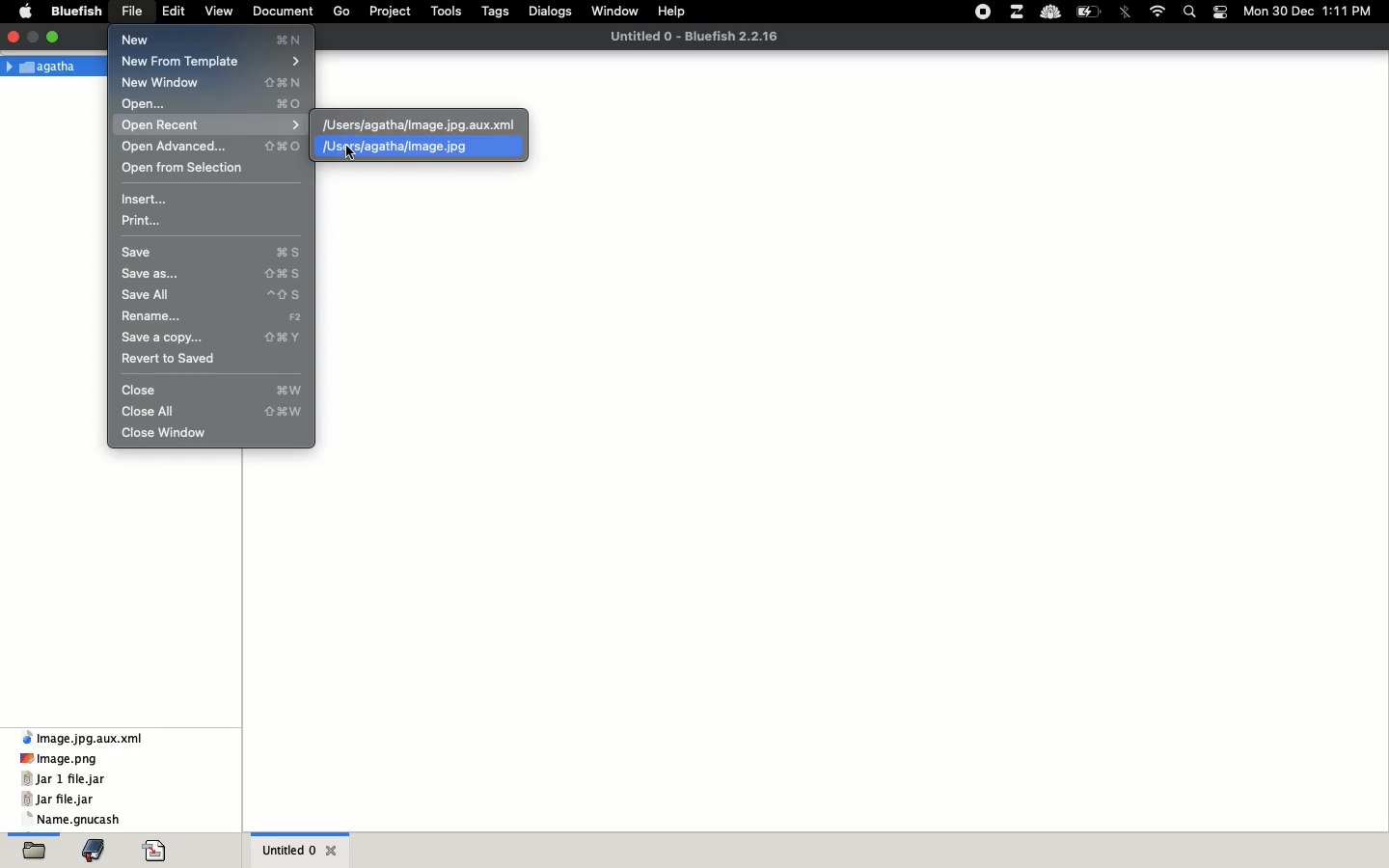  I want to click on Mon 30 Dec 1:11 PM, so click(1309, 10).